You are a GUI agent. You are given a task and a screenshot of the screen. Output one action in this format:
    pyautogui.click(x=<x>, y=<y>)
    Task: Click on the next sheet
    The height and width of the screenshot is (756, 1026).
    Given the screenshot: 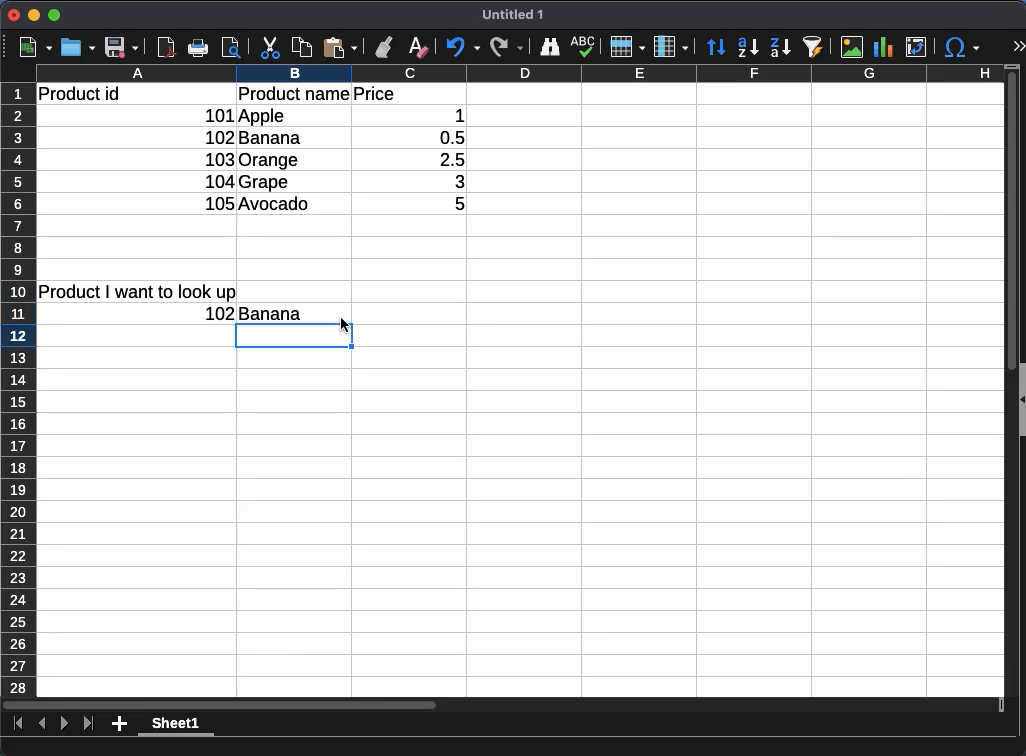 What is the action you would take?
    pyautogui.click(x=64, y=724)
    